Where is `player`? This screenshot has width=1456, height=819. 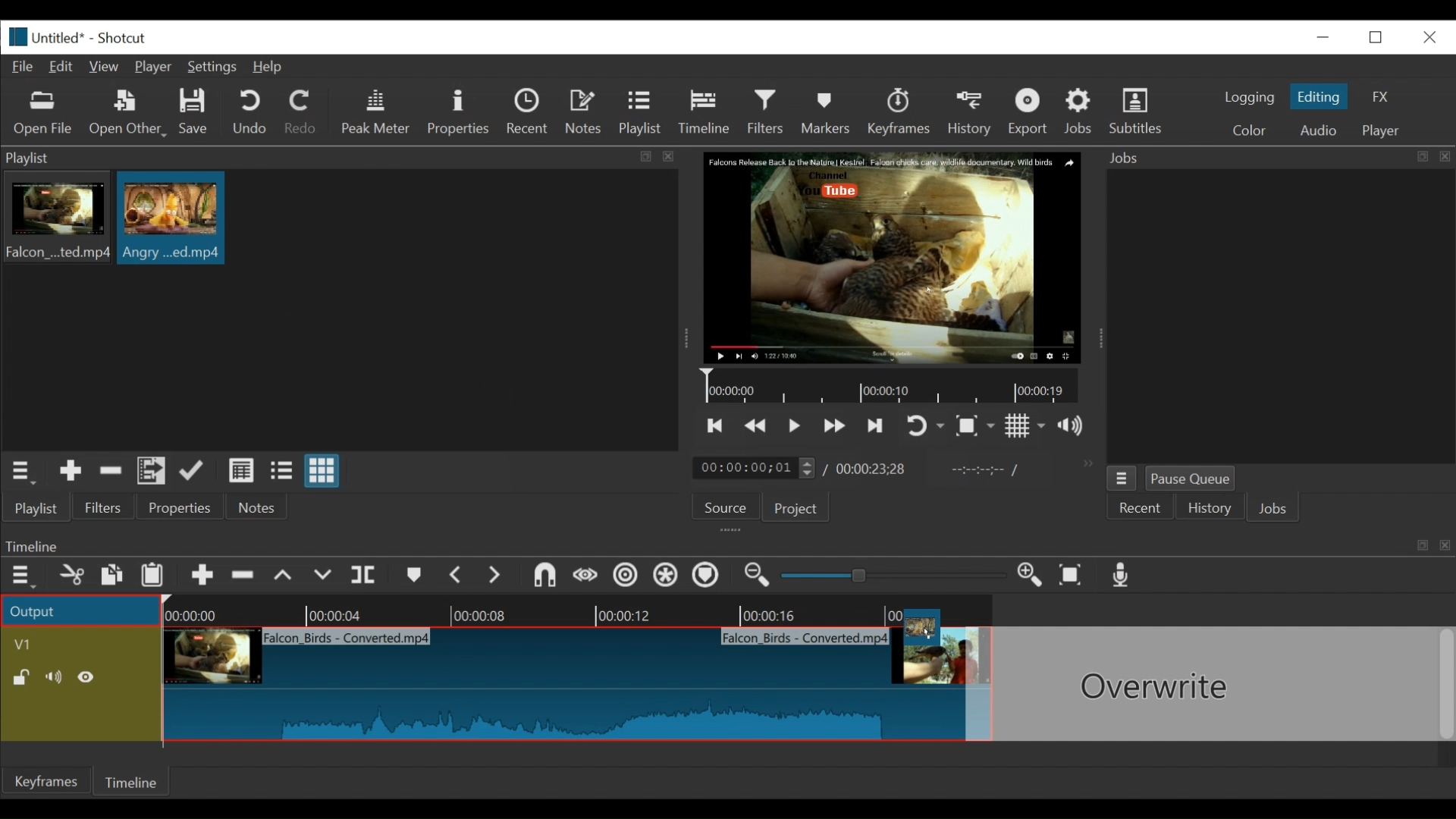
player is located at coordinates (1382, 131).